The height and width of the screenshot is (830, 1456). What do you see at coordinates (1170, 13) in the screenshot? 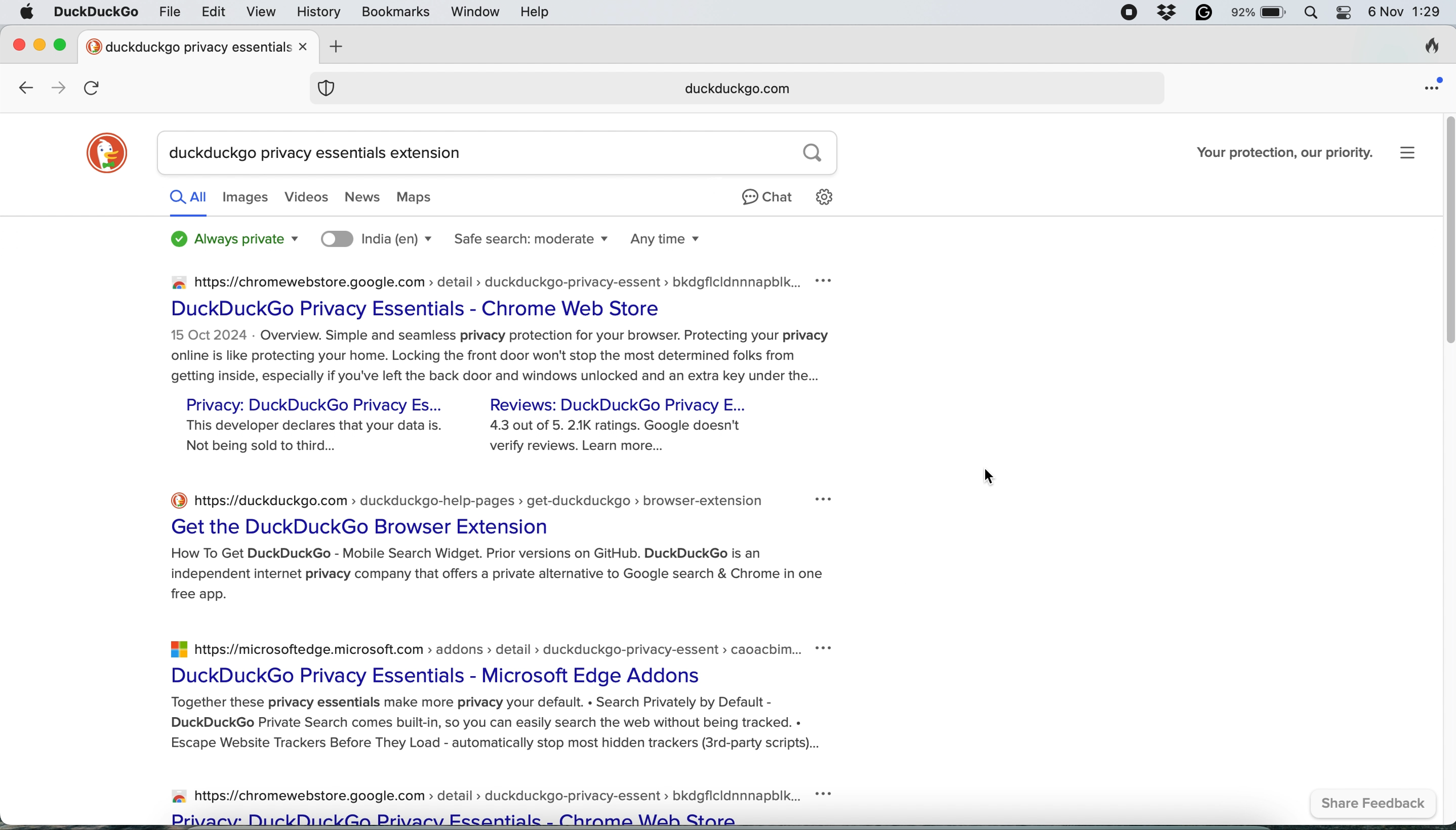
I see `dropbox` at bounding box center [1170, 13].